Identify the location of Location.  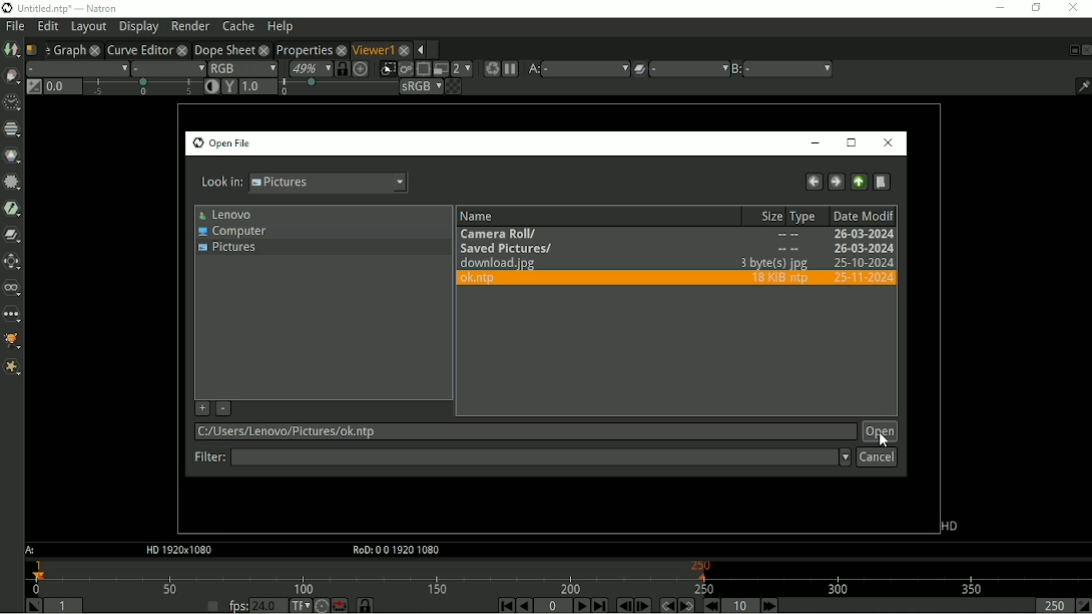
(522, 432).